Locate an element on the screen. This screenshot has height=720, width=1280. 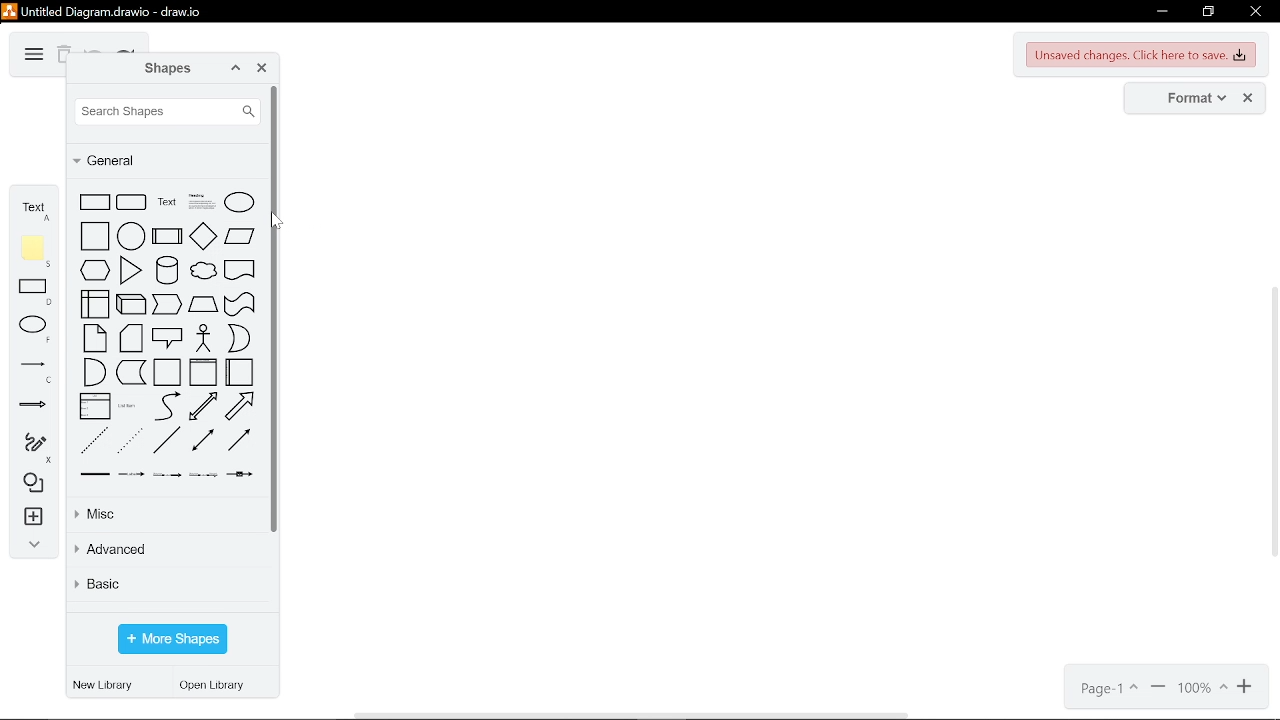
heading is located at coordinates (201, 202).